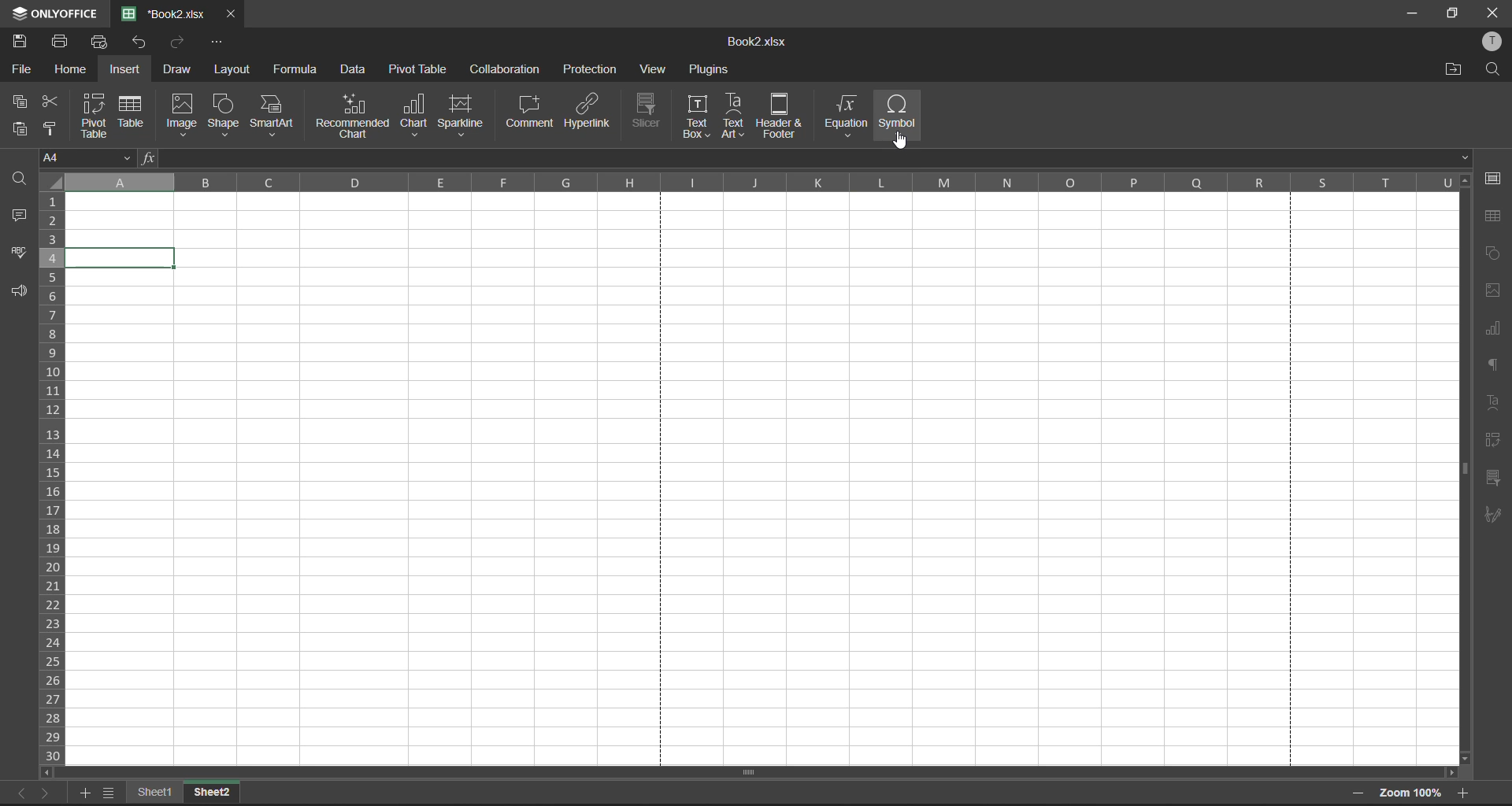  What do you see at coordinates (19, 130) in the screenshot?
I see `paste` at bounding box center [19, 130].